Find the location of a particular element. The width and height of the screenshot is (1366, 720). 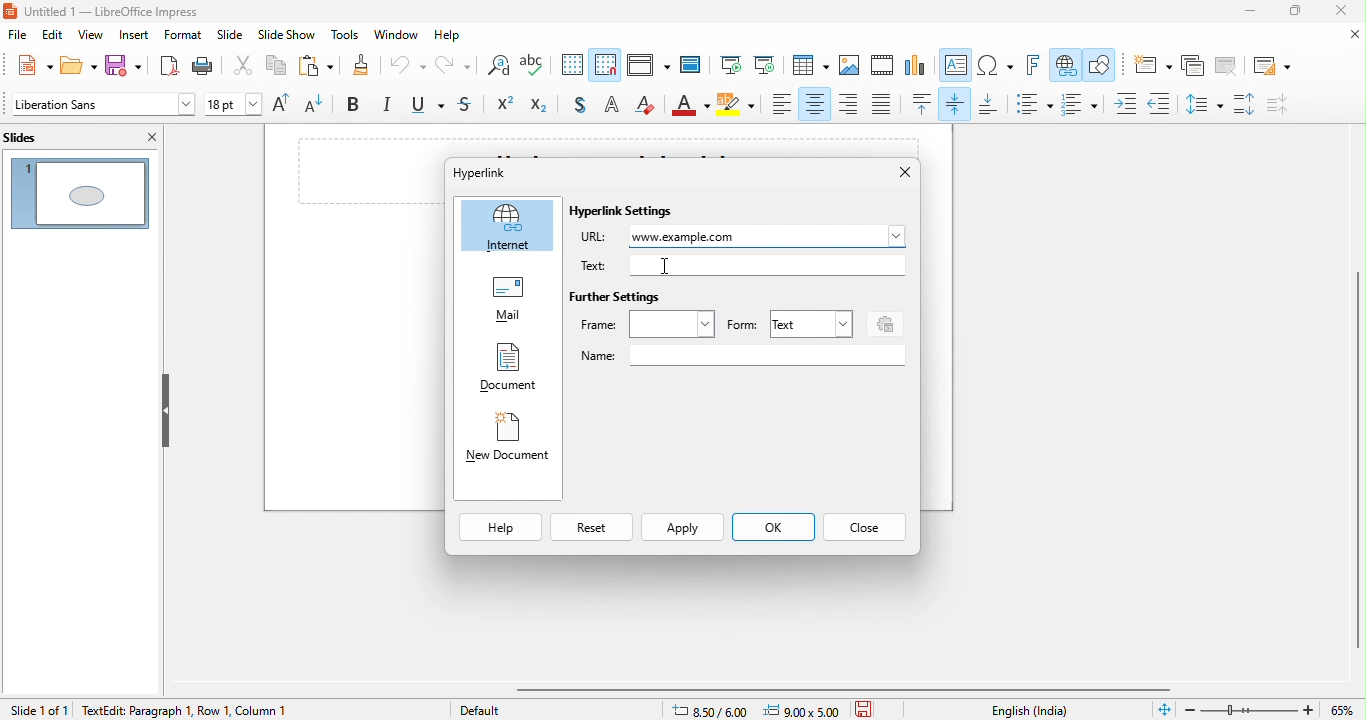

special character is located at coordinates (996, 66).